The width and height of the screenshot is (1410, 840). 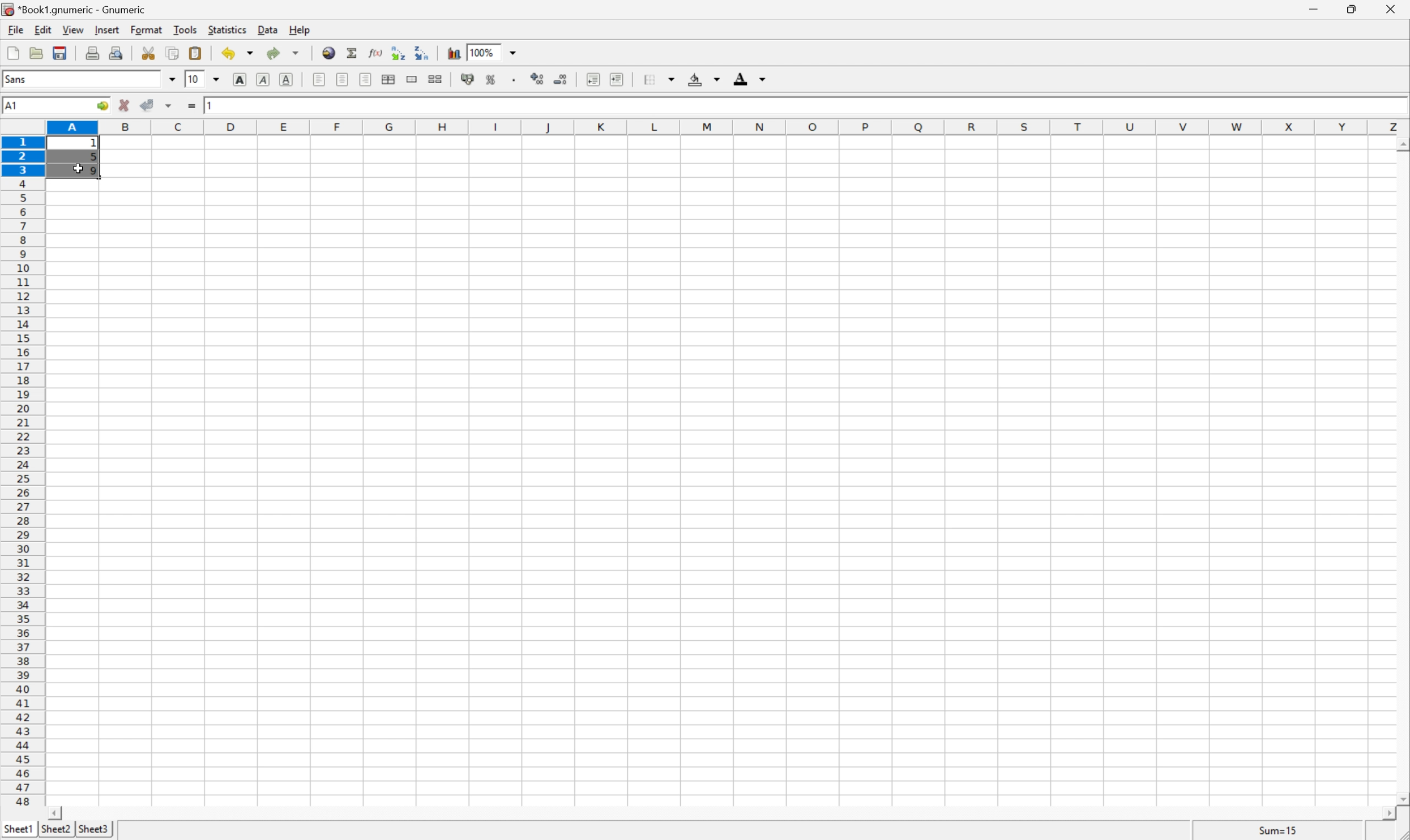 What do you see at coordinates (192, 106) in the screenshot?
I see `enter formula` at bounding box center [192, 106].